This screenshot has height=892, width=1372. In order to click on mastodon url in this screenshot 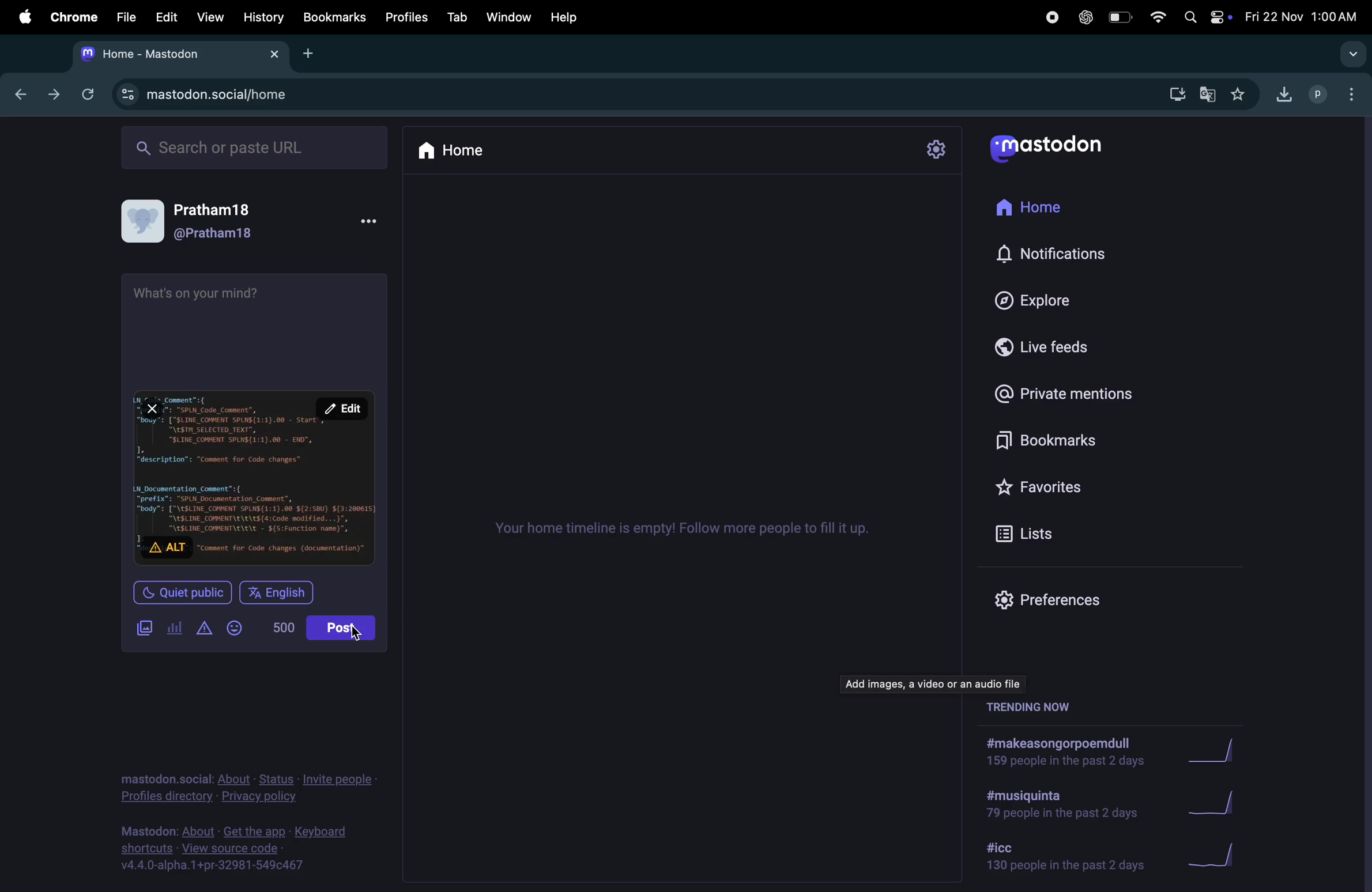, I will do `click(242, 96)`.